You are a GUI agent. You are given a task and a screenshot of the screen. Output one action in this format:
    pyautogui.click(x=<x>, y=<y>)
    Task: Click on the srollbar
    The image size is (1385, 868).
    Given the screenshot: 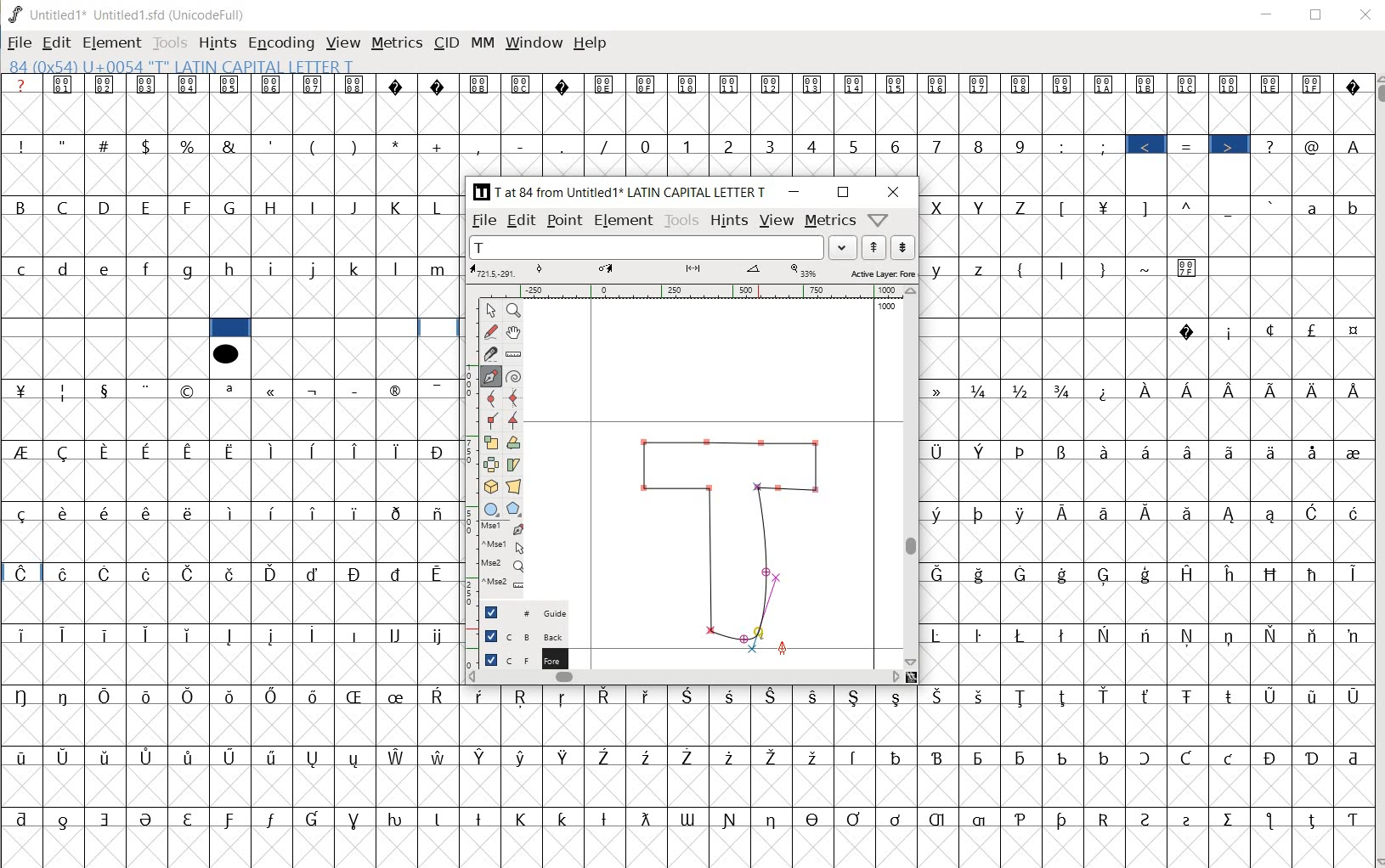 What is the action you would take?
    pyautogui.click(x=683, y=676)
    